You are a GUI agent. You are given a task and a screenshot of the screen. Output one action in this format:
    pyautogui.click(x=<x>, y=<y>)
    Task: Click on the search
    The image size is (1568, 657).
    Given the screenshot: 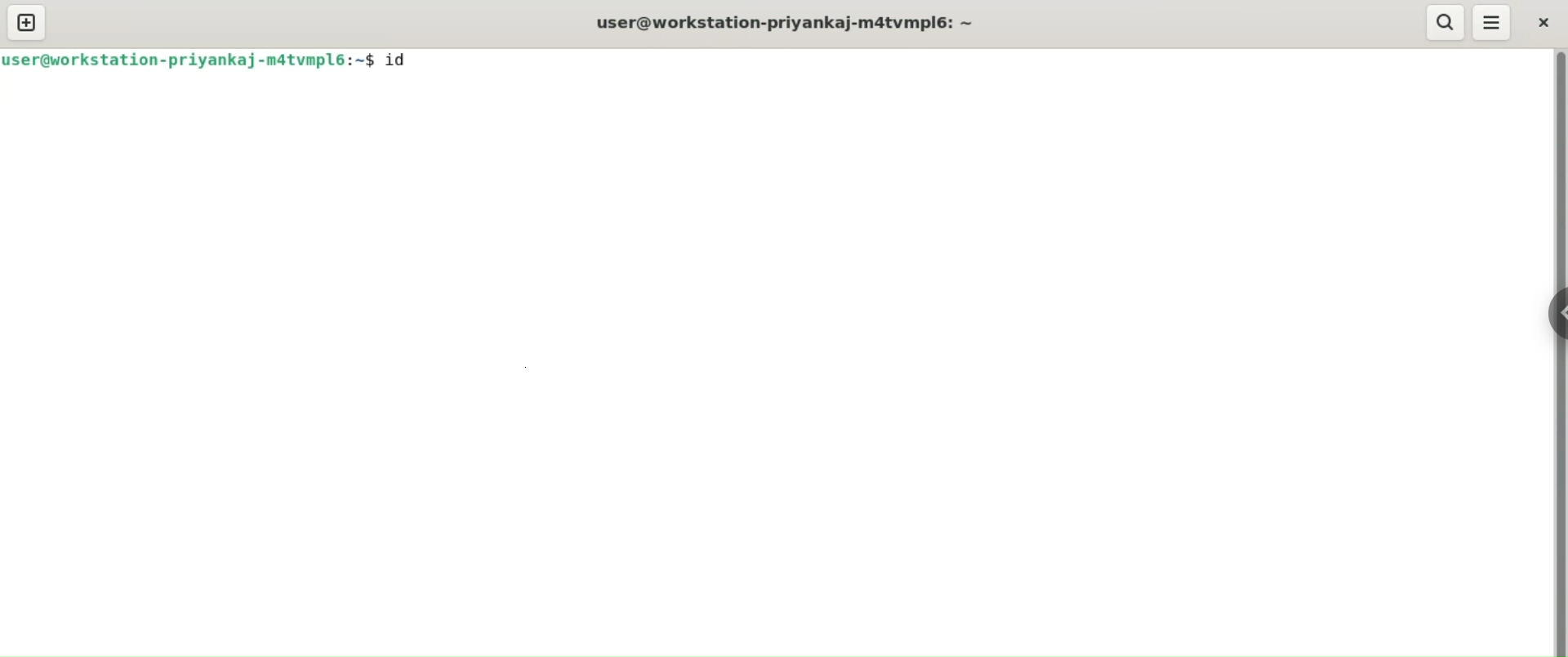 What is the action you would take?
    pyautogui.click(x=1442, y=23)
    